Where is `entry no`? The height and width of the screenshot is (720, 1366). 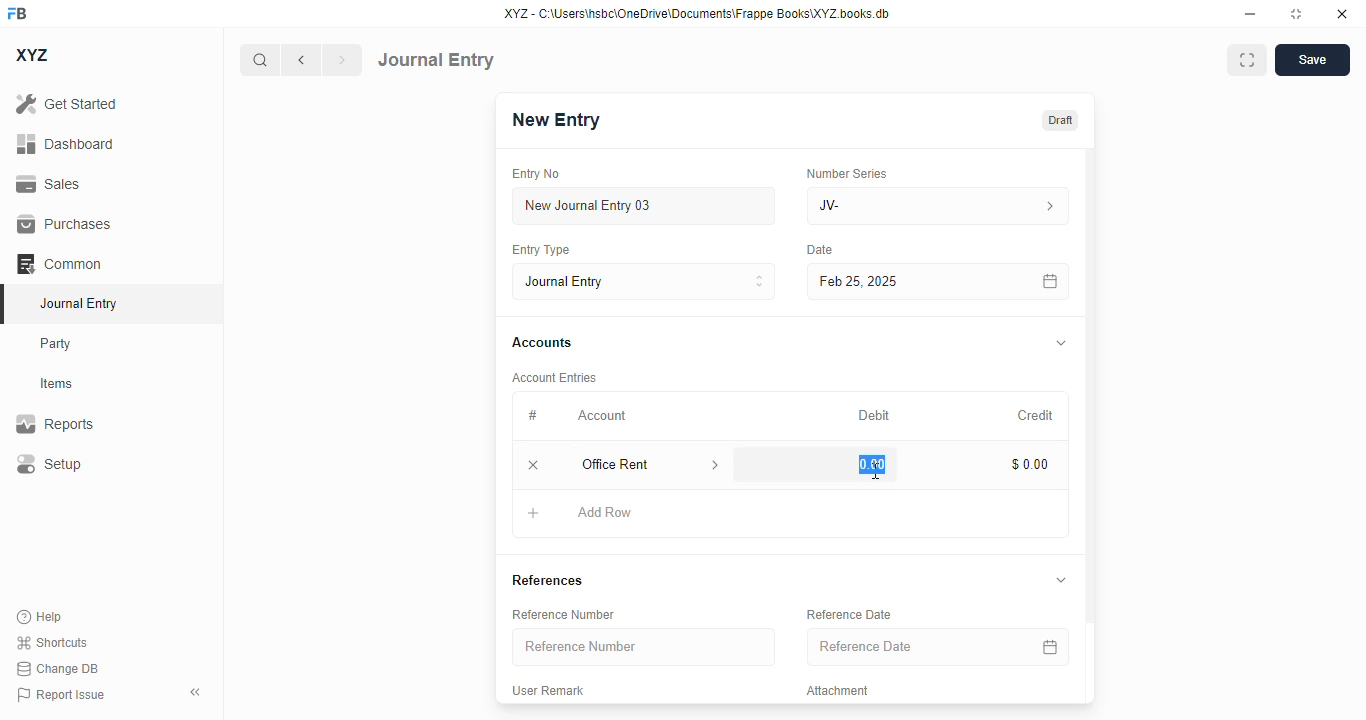
entry no is located at coordinates (536, 174).